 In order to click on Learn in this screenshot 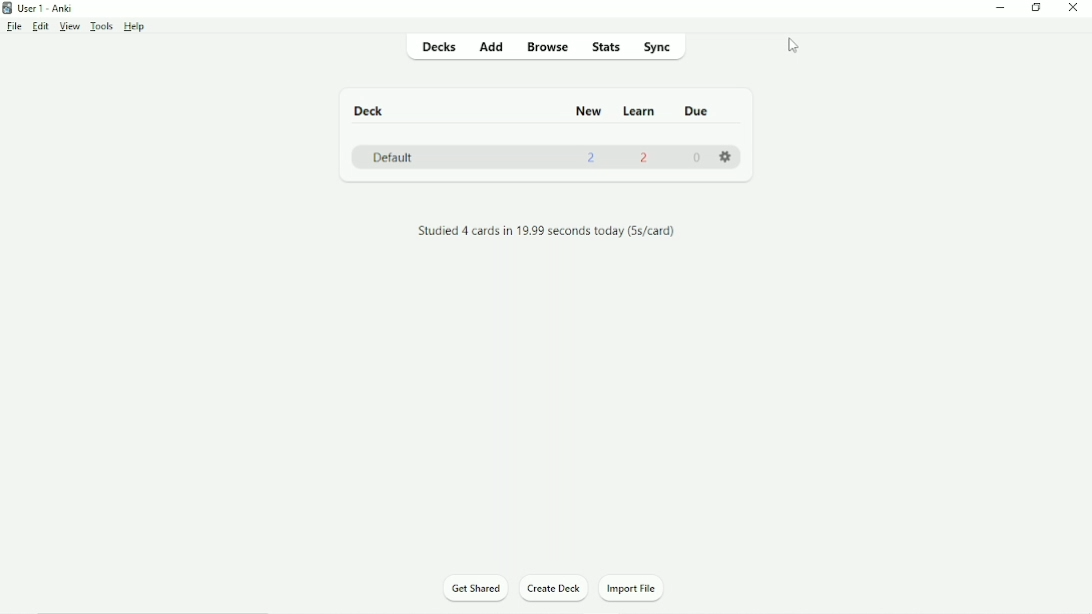, I will do `click(640, 111)`.